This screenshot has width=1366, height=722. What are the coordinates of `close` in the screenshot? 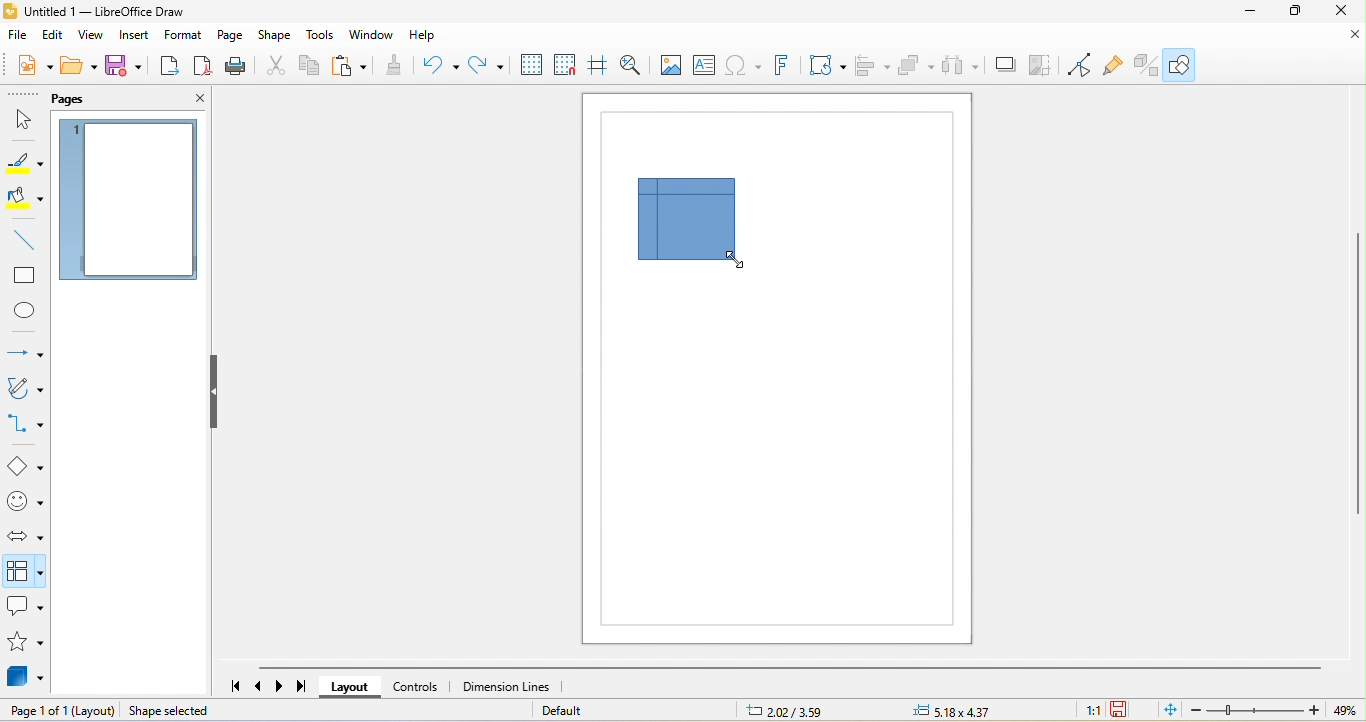 It's located at (187, 100).